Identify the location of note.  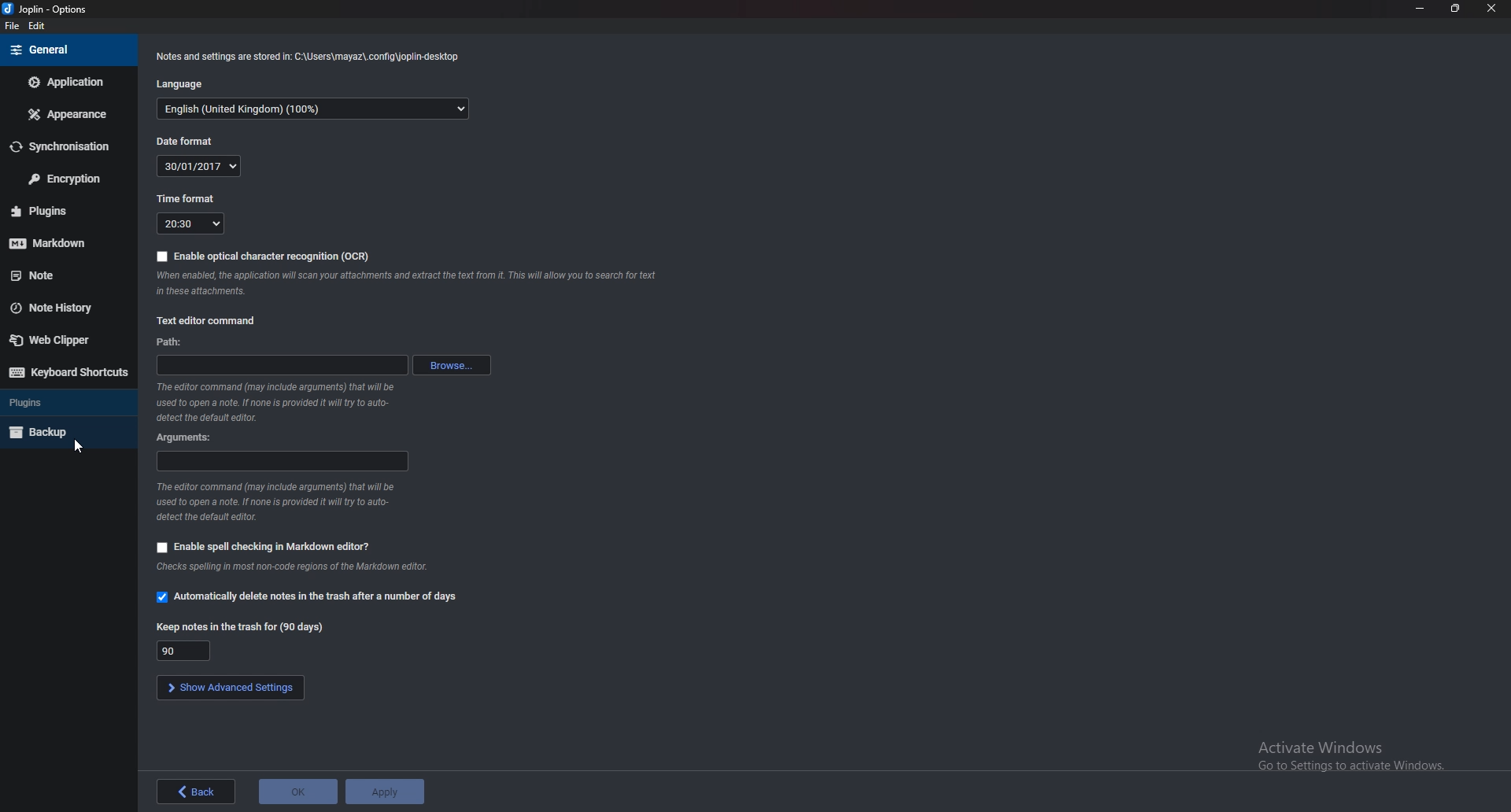
(62, 275).